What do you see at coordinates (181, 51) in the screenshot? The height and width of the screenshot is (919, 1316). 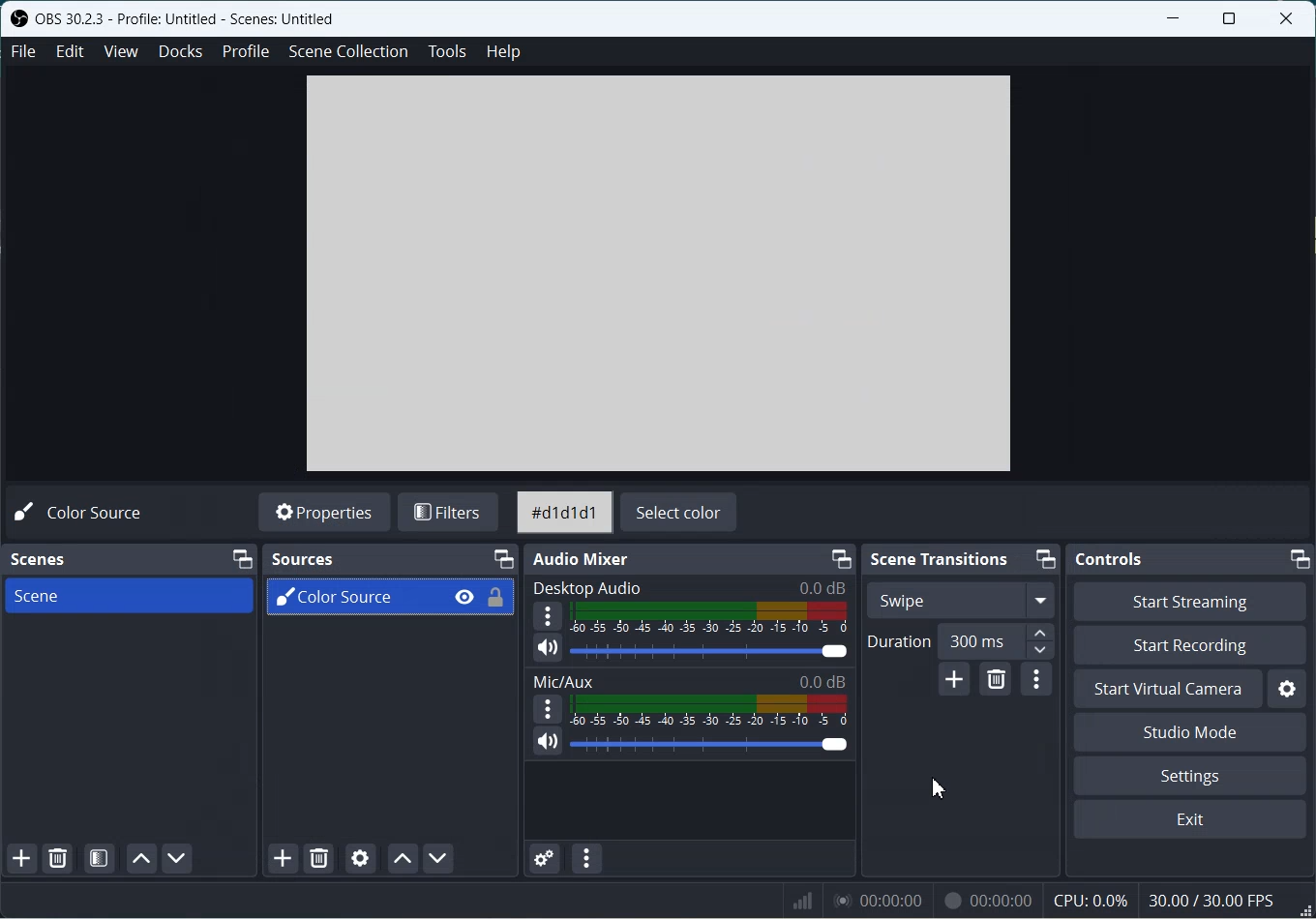 I see `Docks` at bounding box center [181, 51].